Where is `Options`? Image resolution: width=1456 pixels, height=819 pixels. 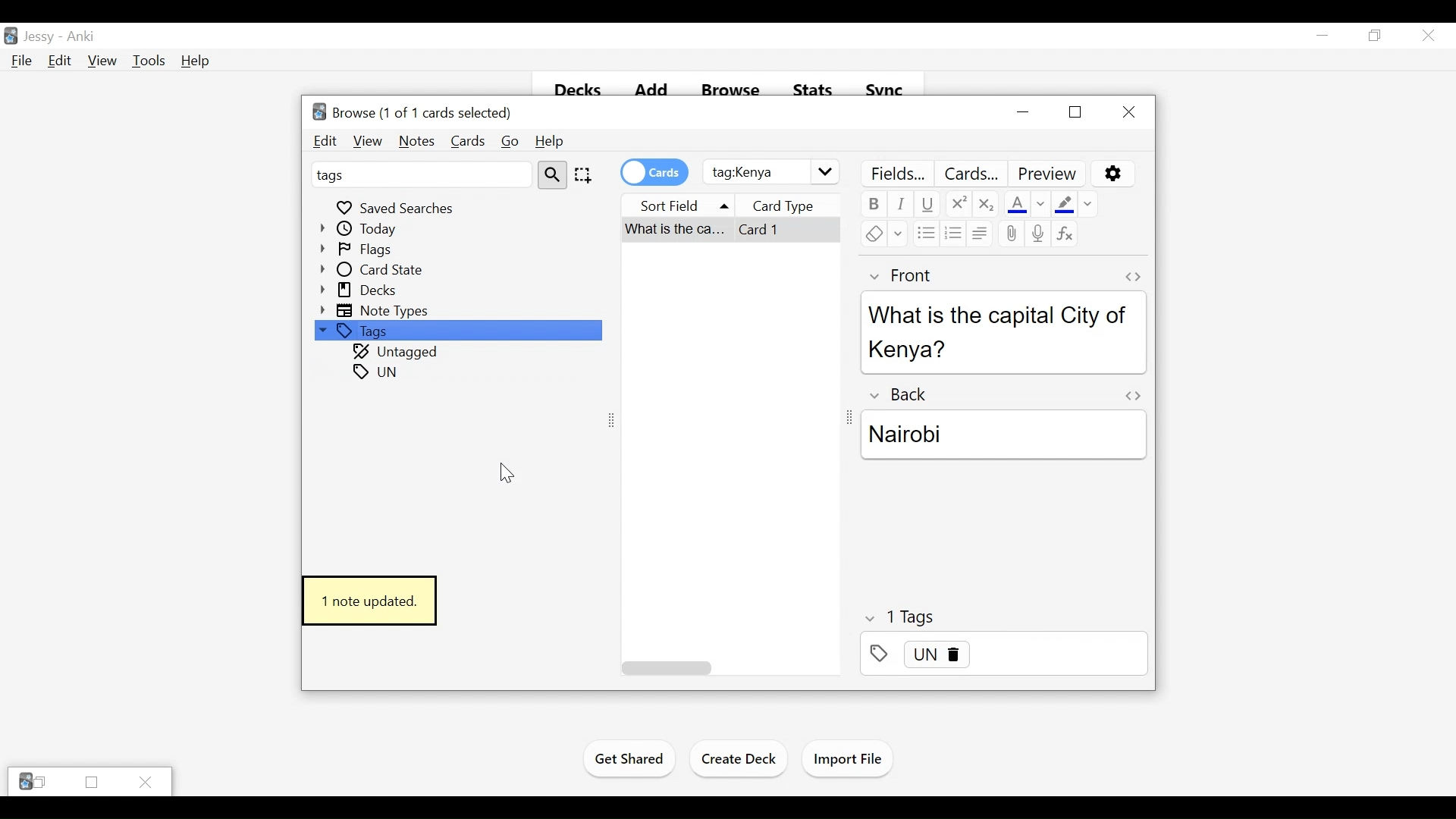 Options is located at coordinates (1112, 173).